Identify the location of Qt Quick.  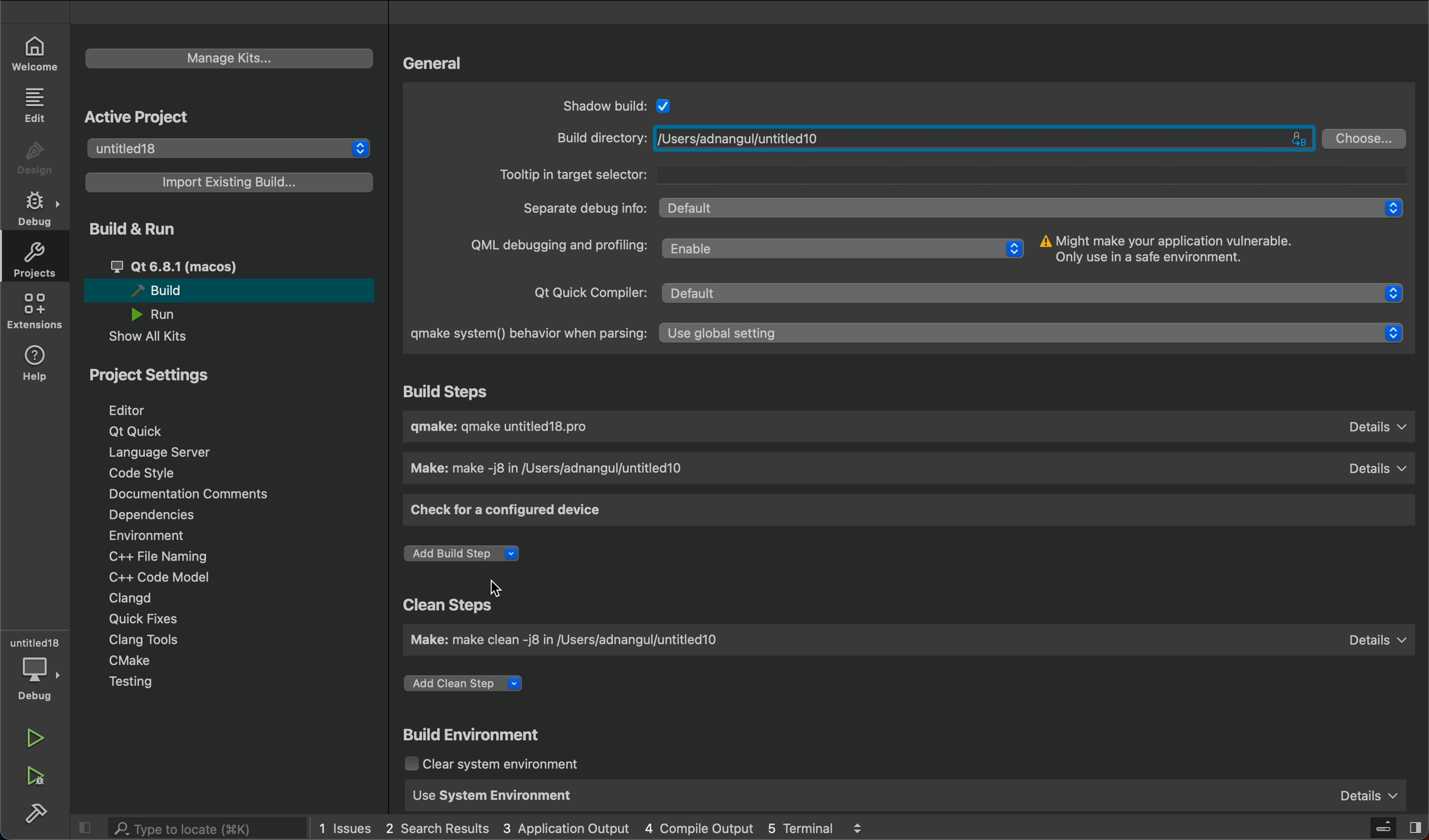
(139, 431).